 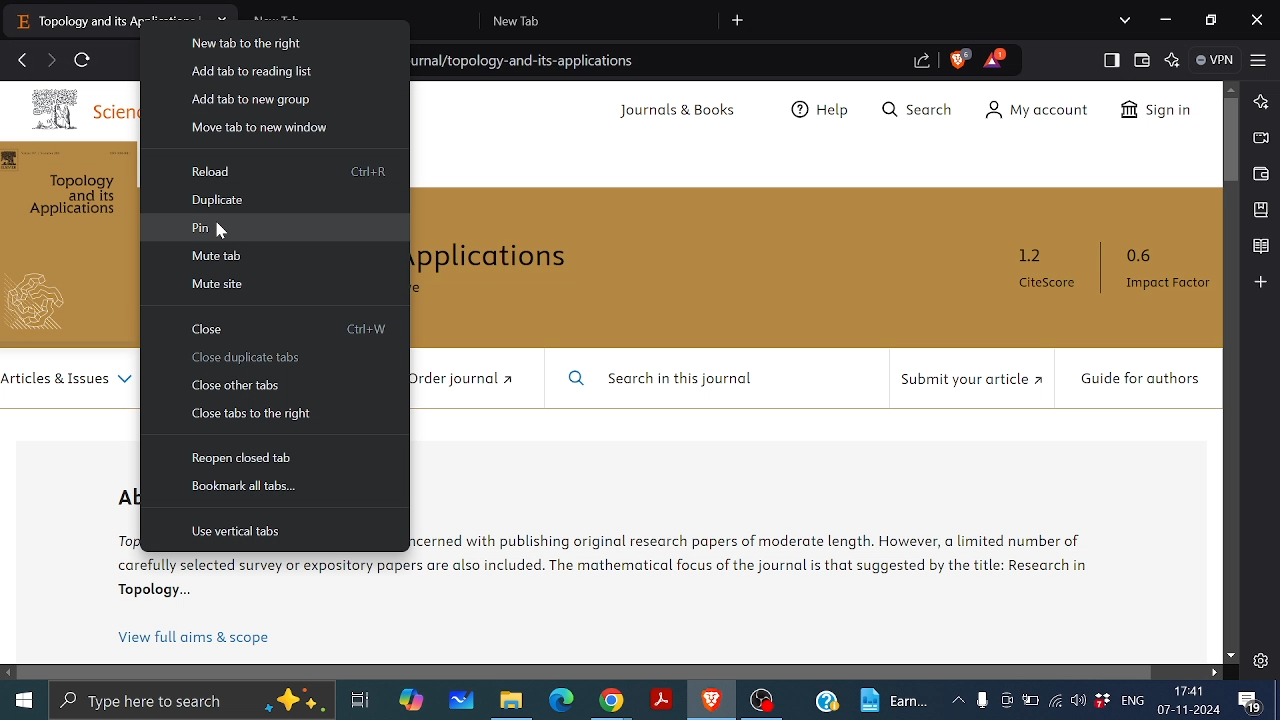 I want to click on New tab to right, so click(x=257, y=41).